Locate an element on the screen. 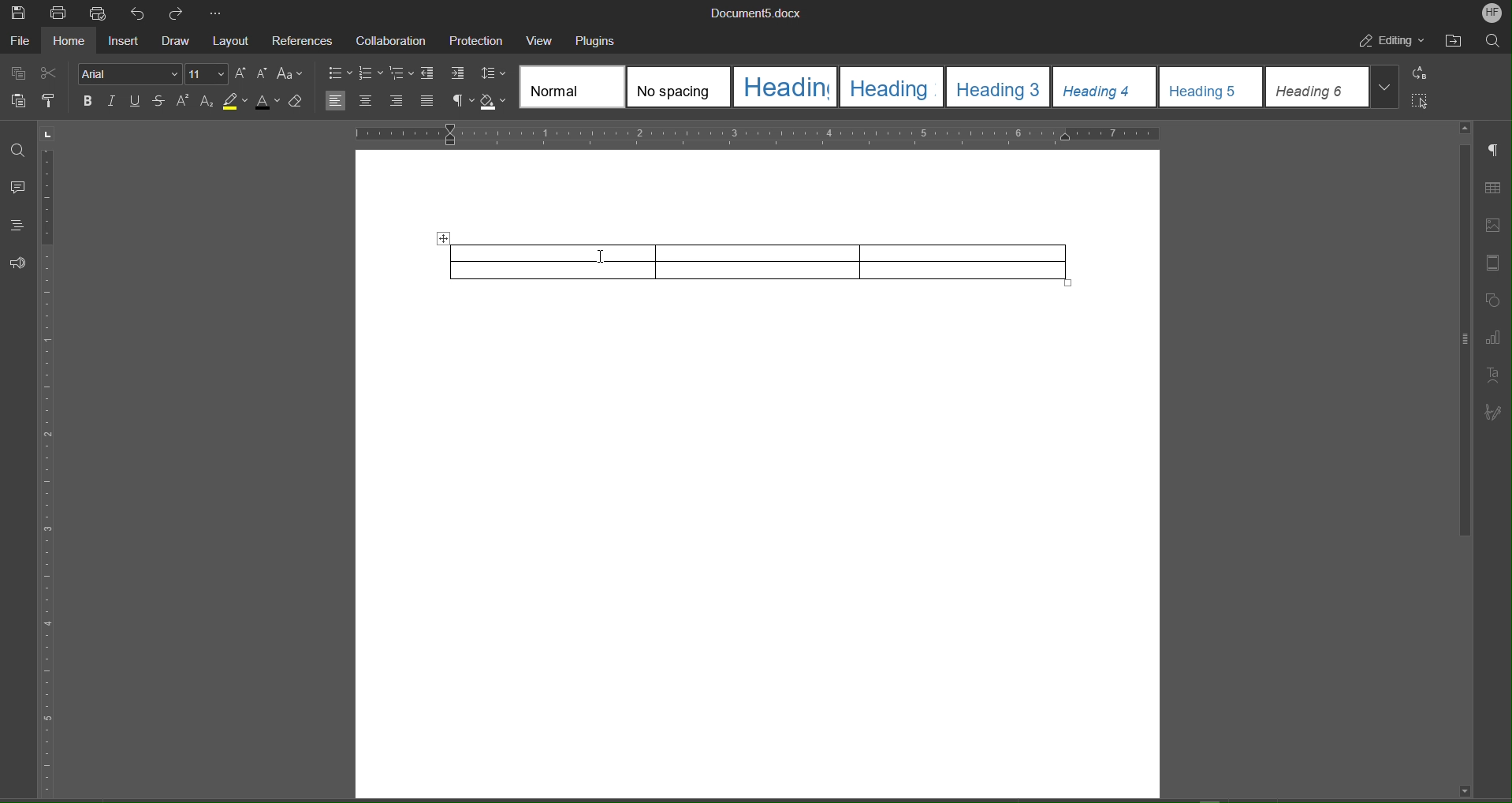  Collaboration is located at coordinates (391, 41).